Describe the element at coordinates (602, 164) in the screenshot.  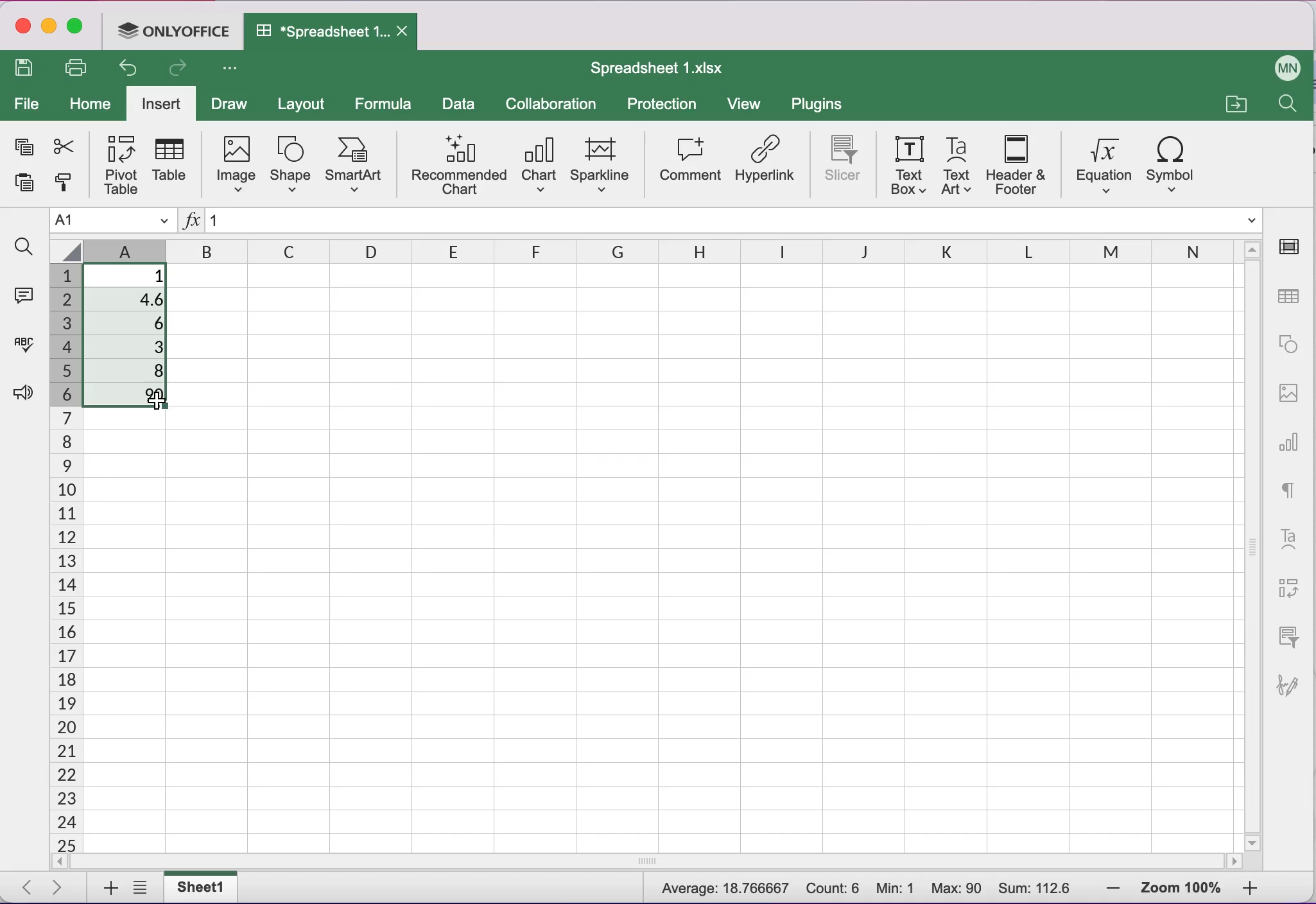
I see `sparkline` at that location.